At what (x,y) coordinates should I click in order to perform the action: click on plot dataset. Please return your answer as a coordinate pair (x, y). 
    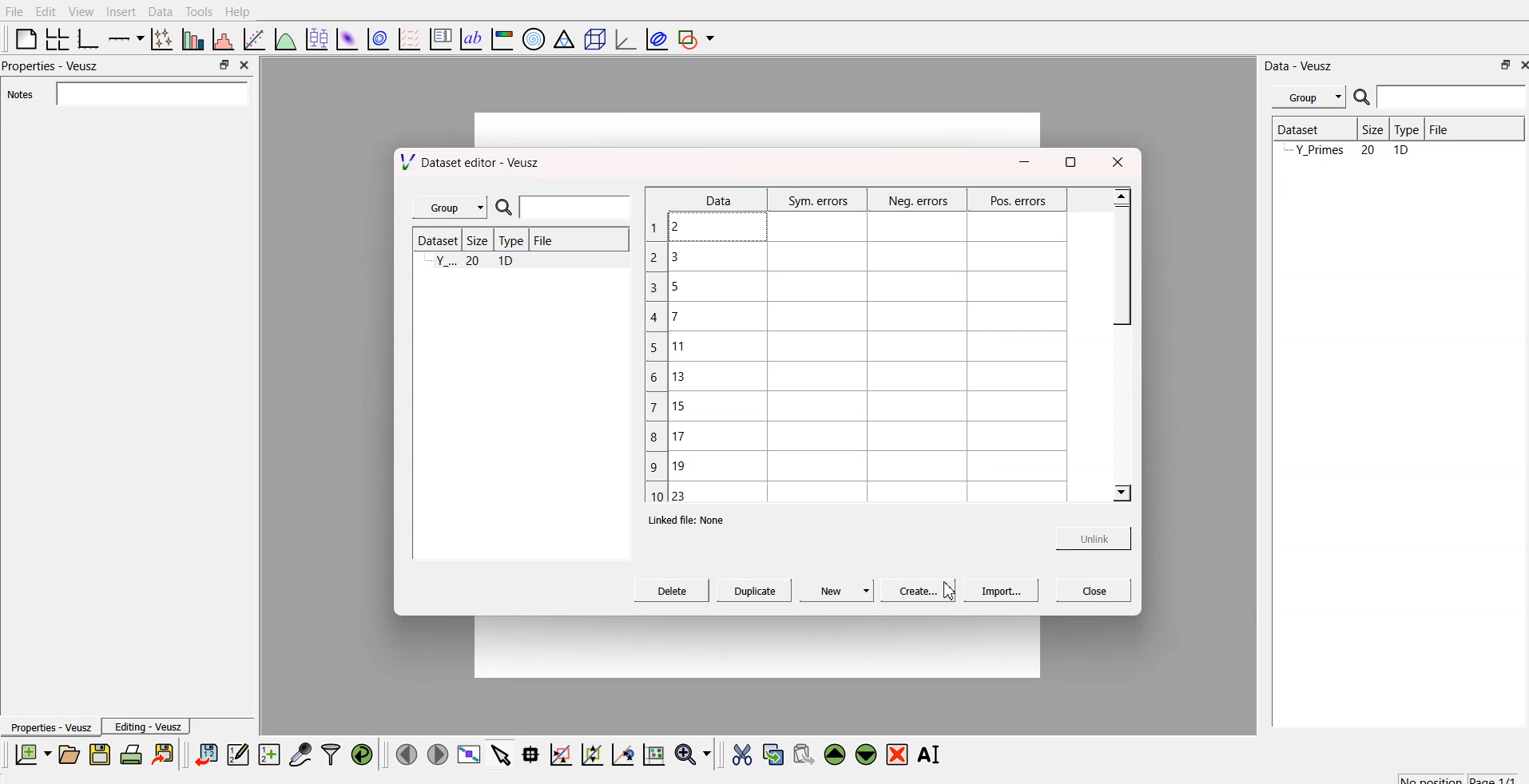
    Looking at the image, I should click on (347, 38).